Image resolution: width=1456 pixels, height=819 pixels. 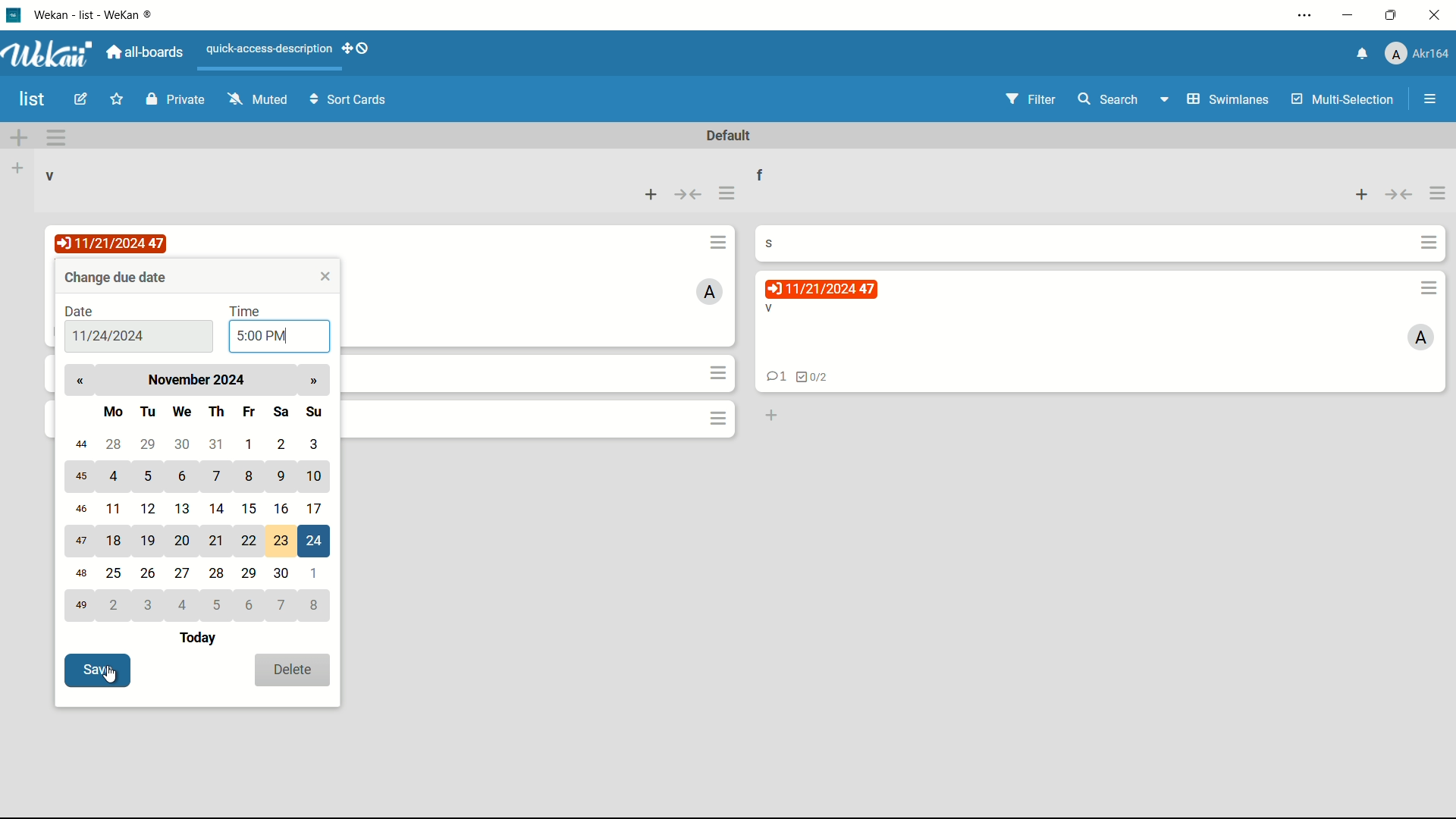 What do you see at coordinates (1439, 196) in the screenshot?
I see `list actions` at bounding box center [1439, 196].